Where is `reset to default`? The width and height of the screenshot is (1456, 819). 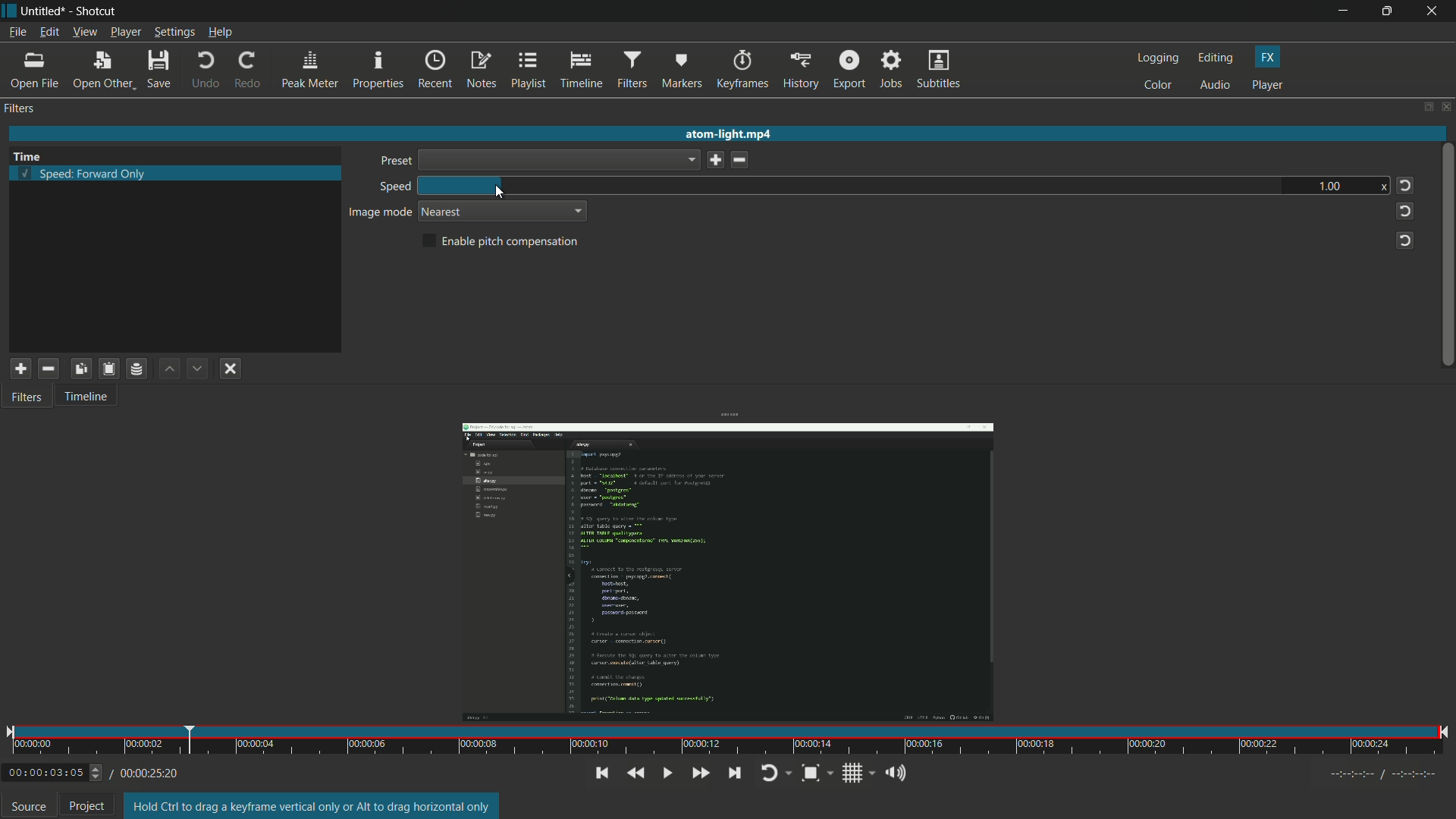
reset to default is located at coordinates (1404, 239).